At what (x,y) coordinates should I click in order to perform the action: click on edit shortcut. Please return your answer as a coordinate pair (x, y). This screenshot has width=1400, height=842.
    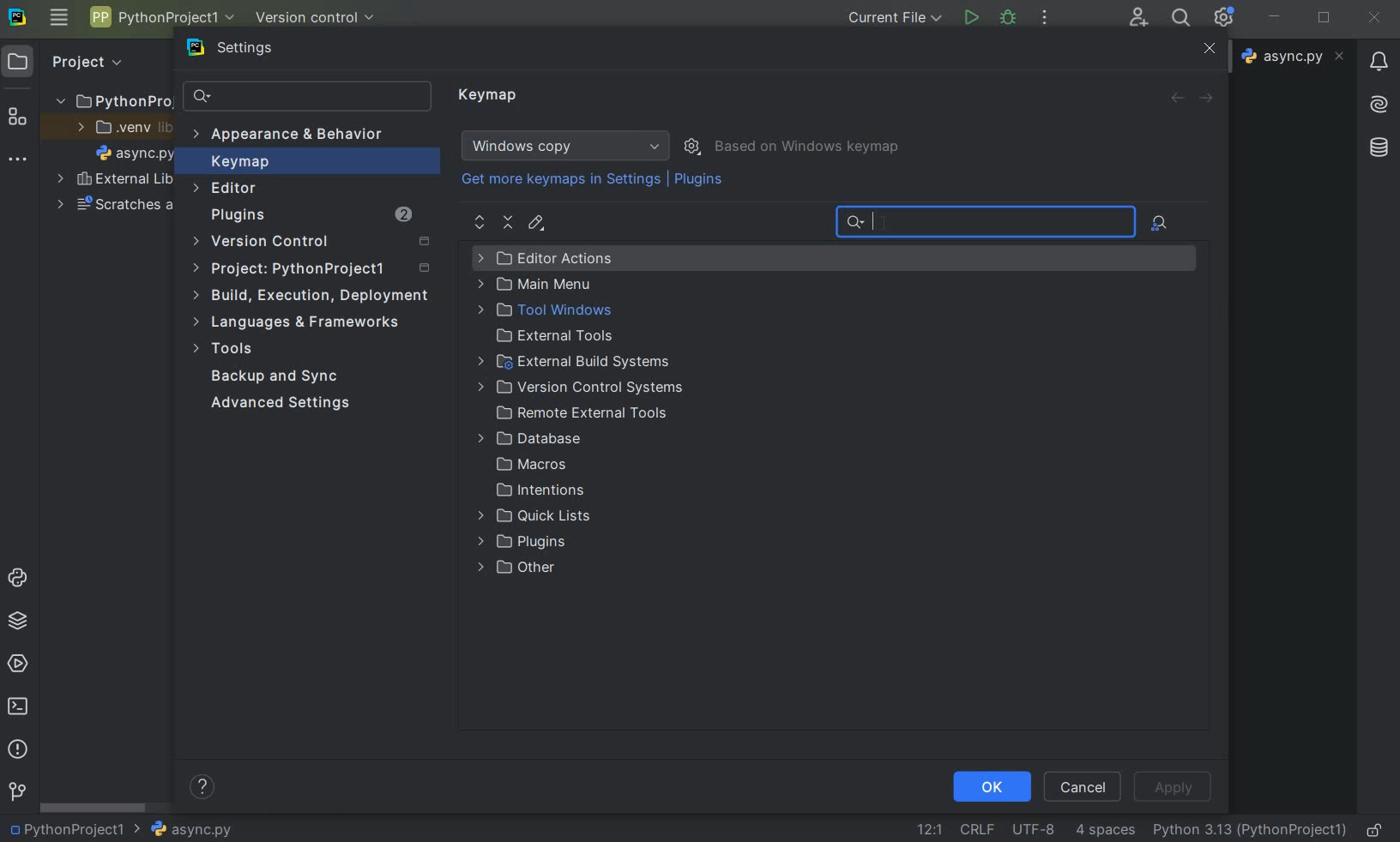
    Looking at the image, I should click on (535, 223).